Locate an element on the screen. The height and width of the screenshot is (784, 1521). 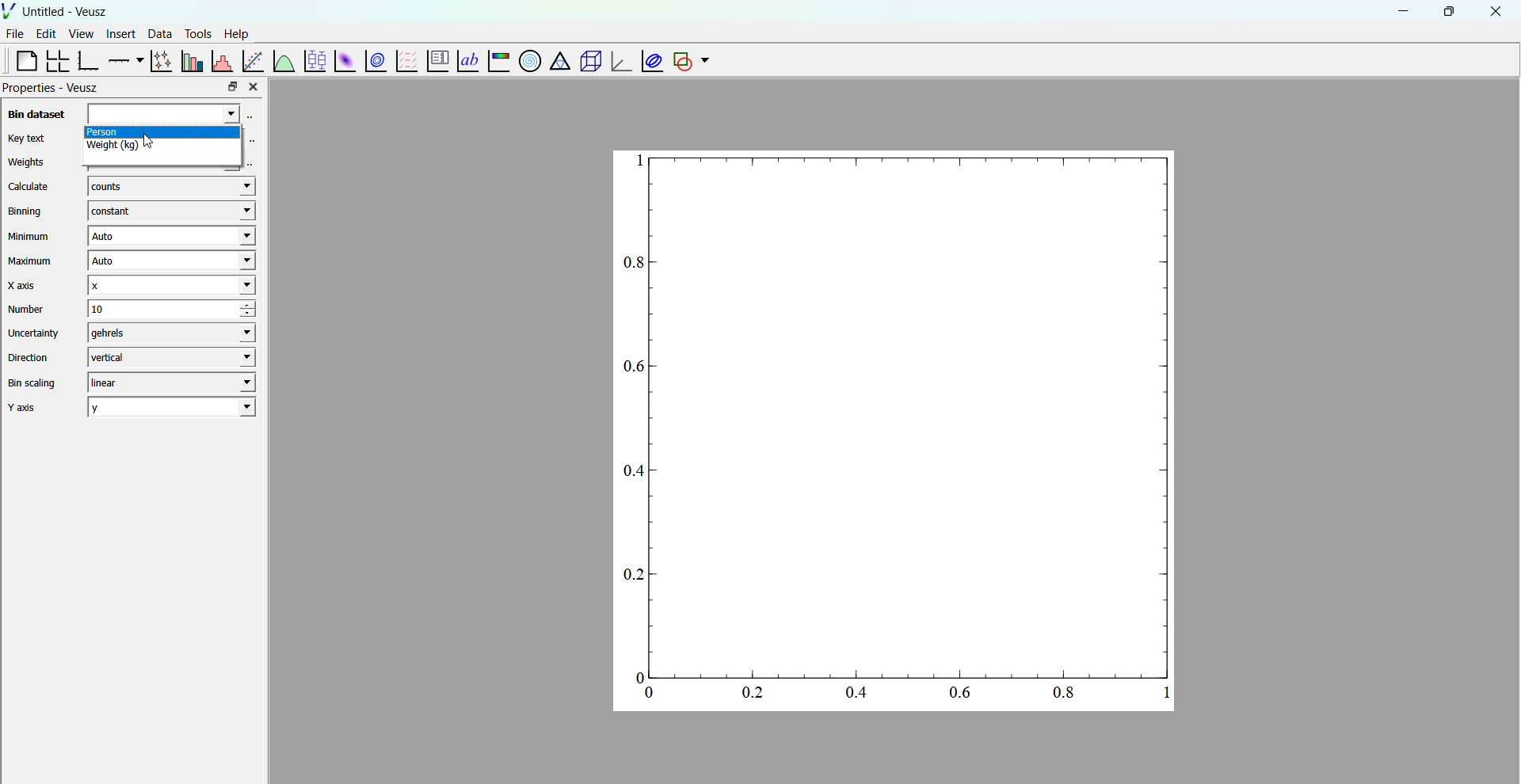
close property bar is located at coordinates (255, 86).